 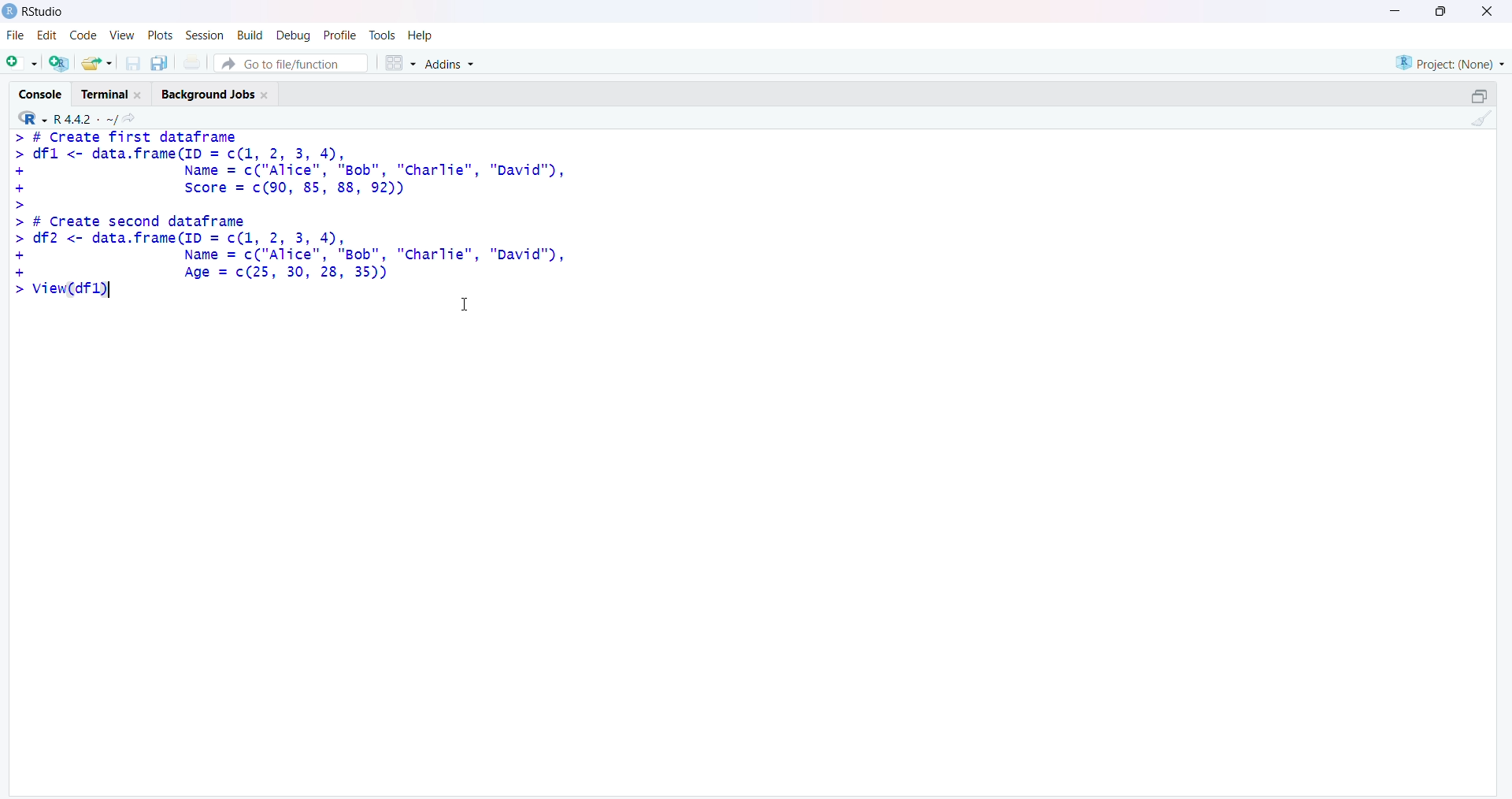 I want to click on R, so click(x=31, y=117).